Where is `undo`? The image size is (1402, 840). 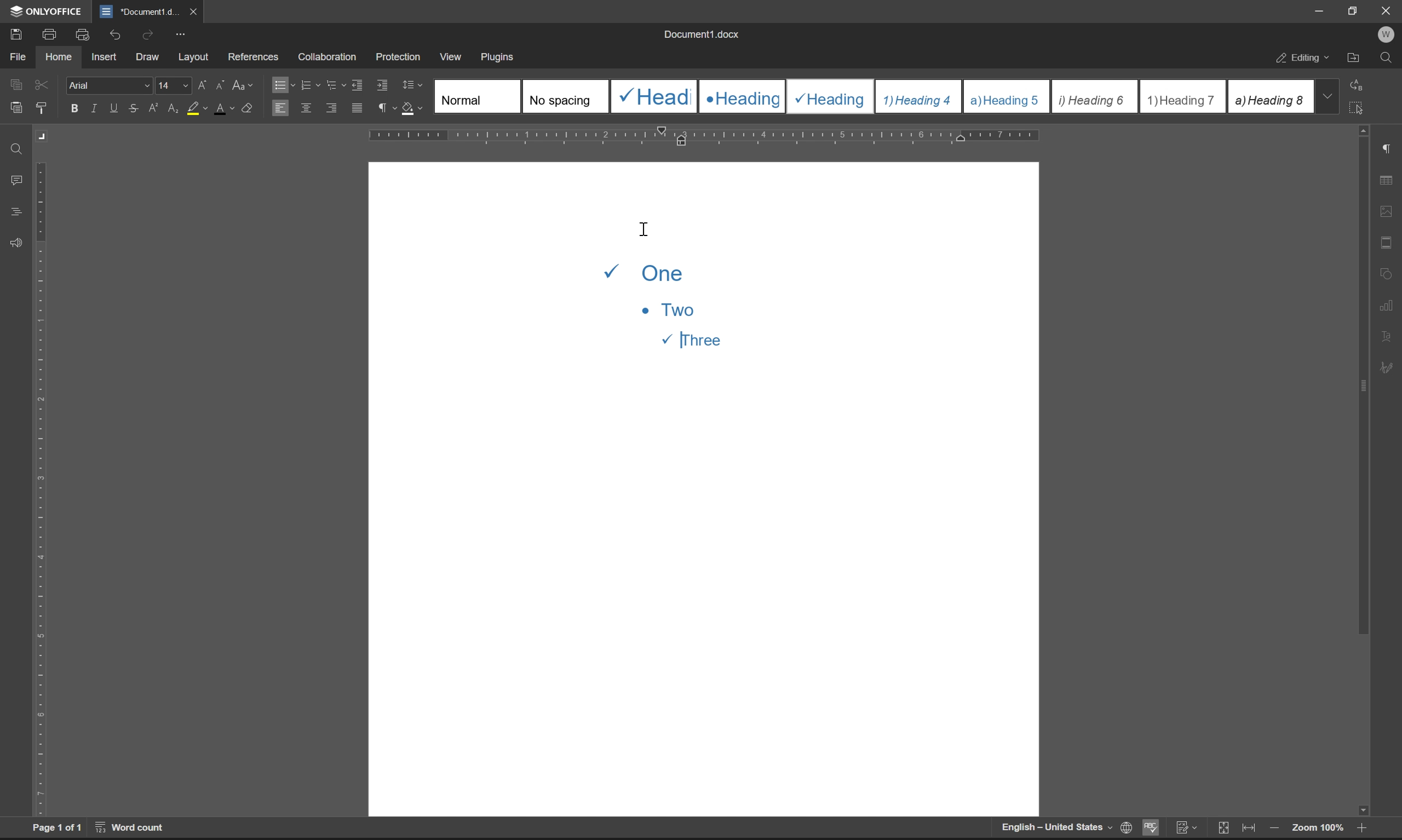
undo is located at coordinates (113, 36).